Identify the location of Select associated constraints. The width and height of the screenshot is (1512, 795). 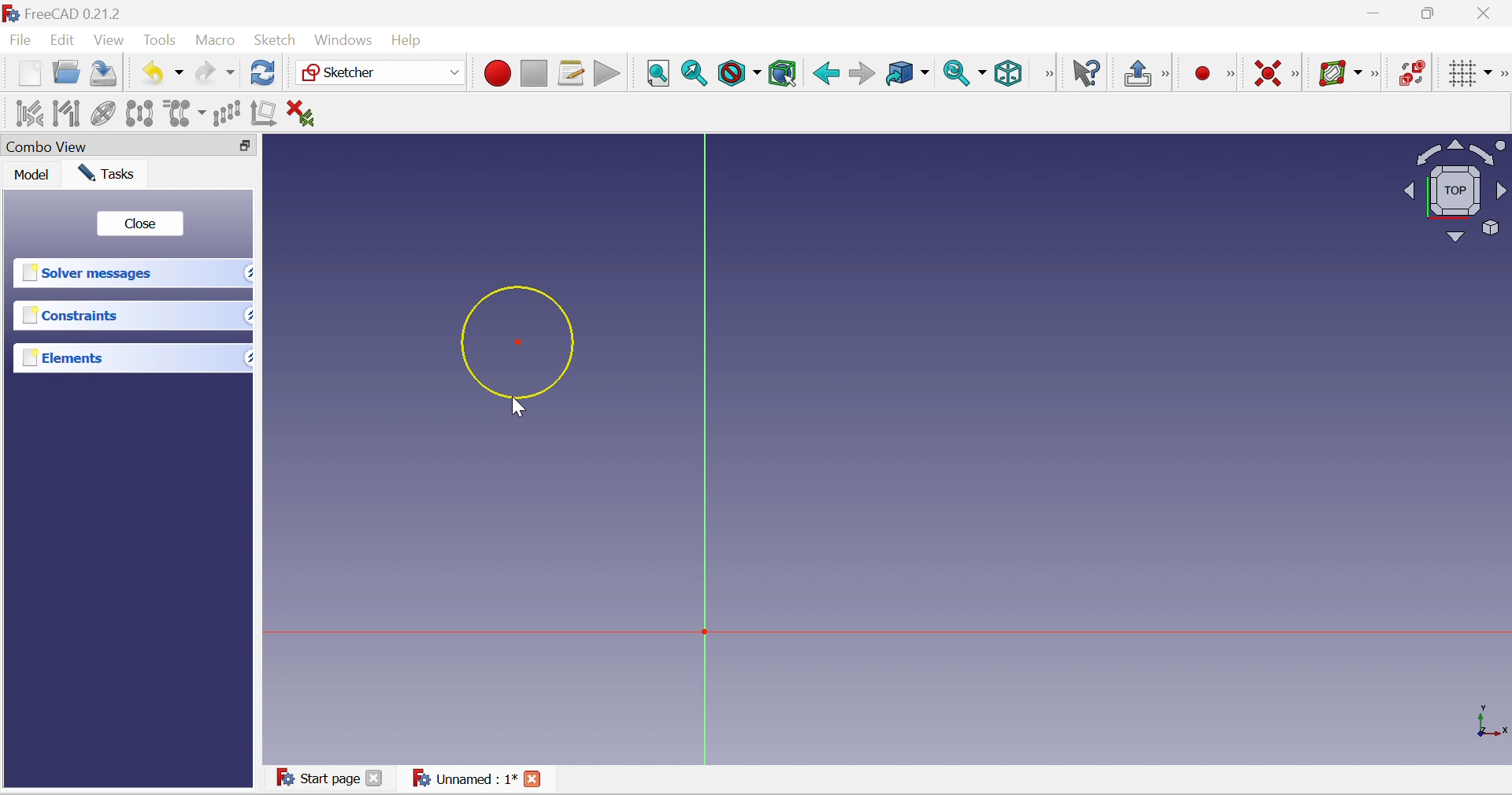
(29, 112).